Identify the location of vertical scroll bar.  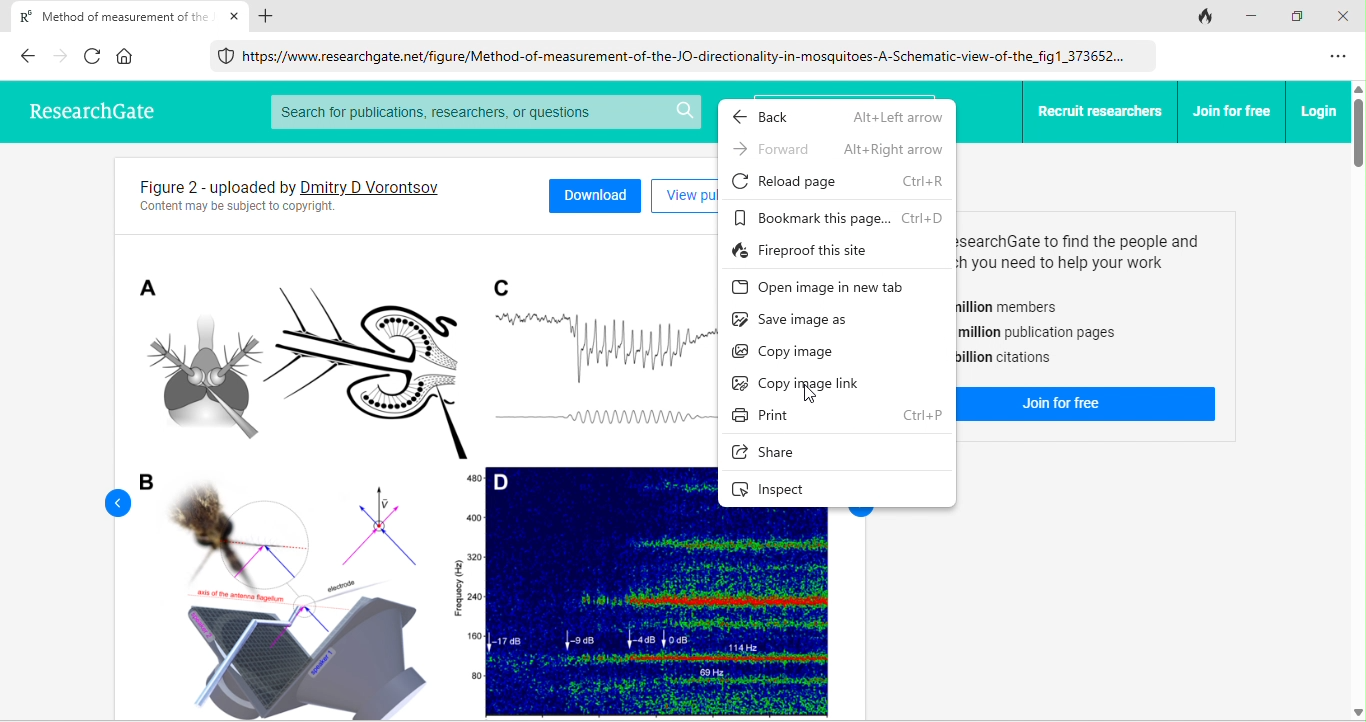
(1357, 401).